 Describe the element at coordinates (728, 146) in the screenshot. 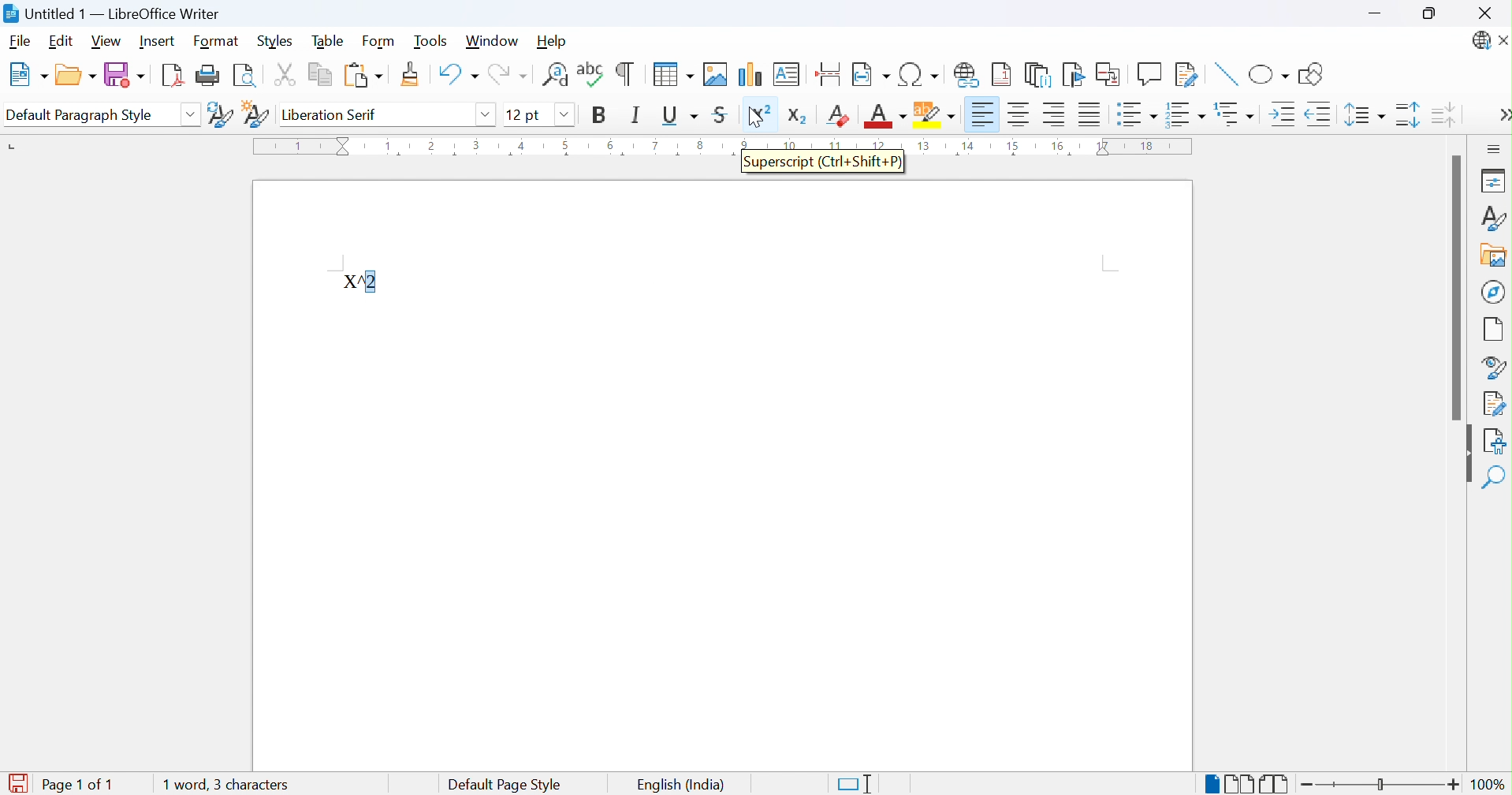

I see `Ruler` at that location.